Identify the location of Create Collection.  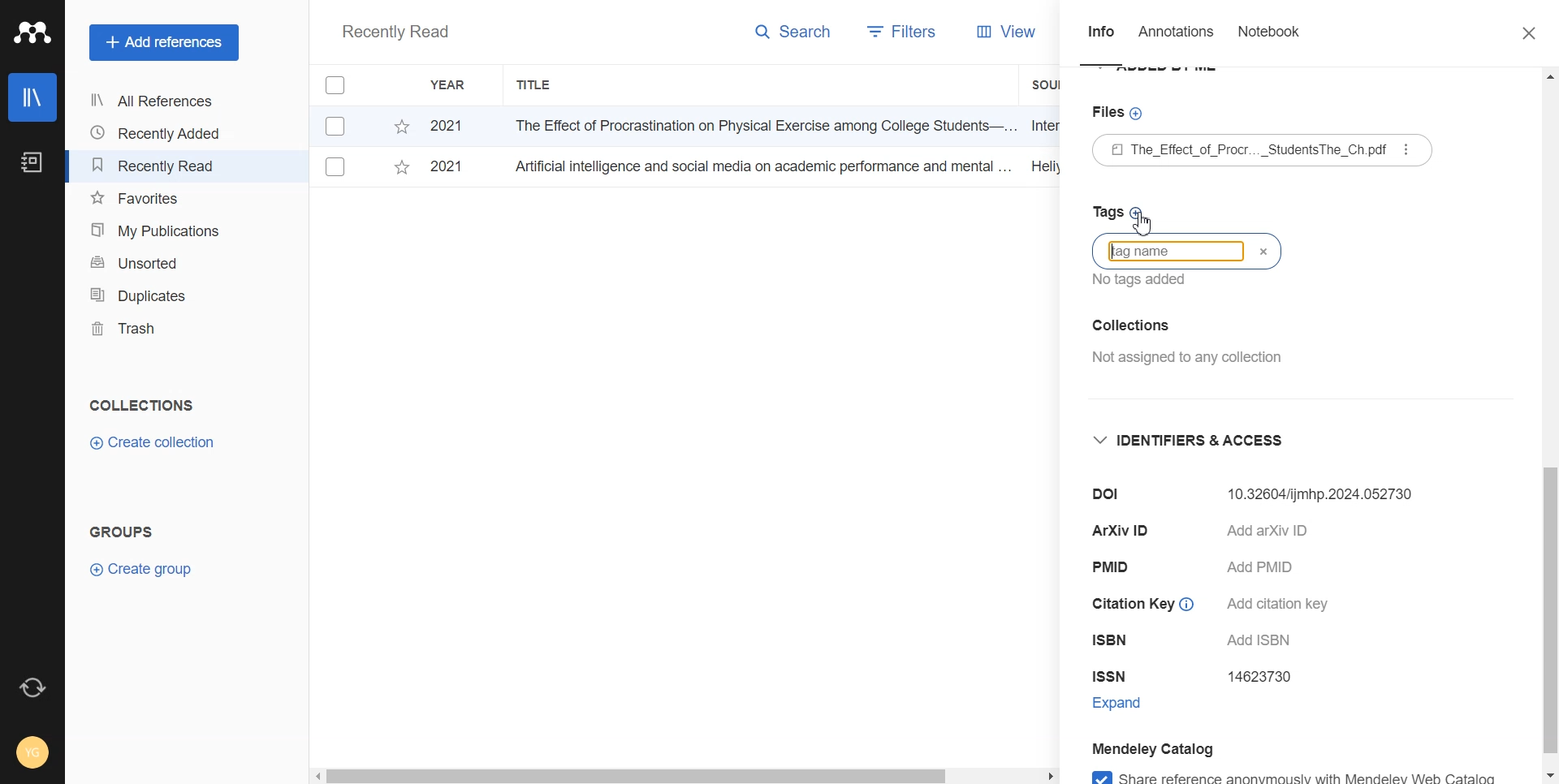
(155, 443).